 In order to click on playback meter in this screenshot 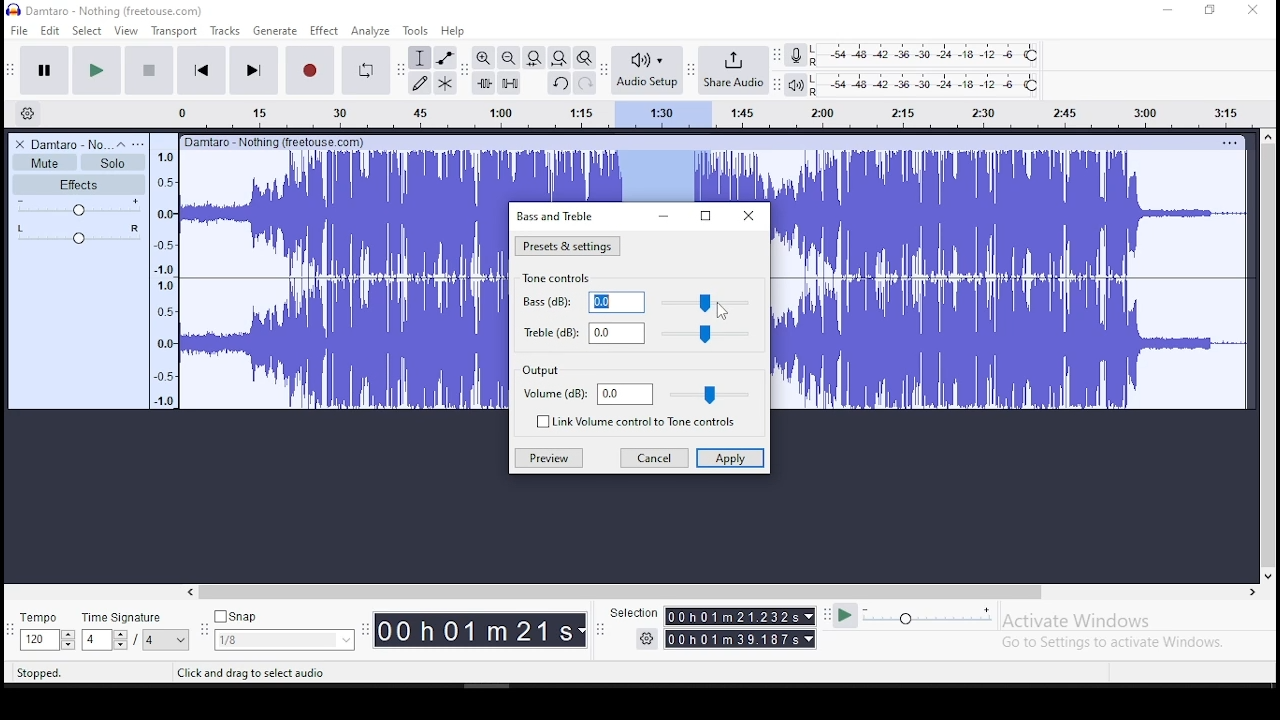, I will do `click(797, 85)`.